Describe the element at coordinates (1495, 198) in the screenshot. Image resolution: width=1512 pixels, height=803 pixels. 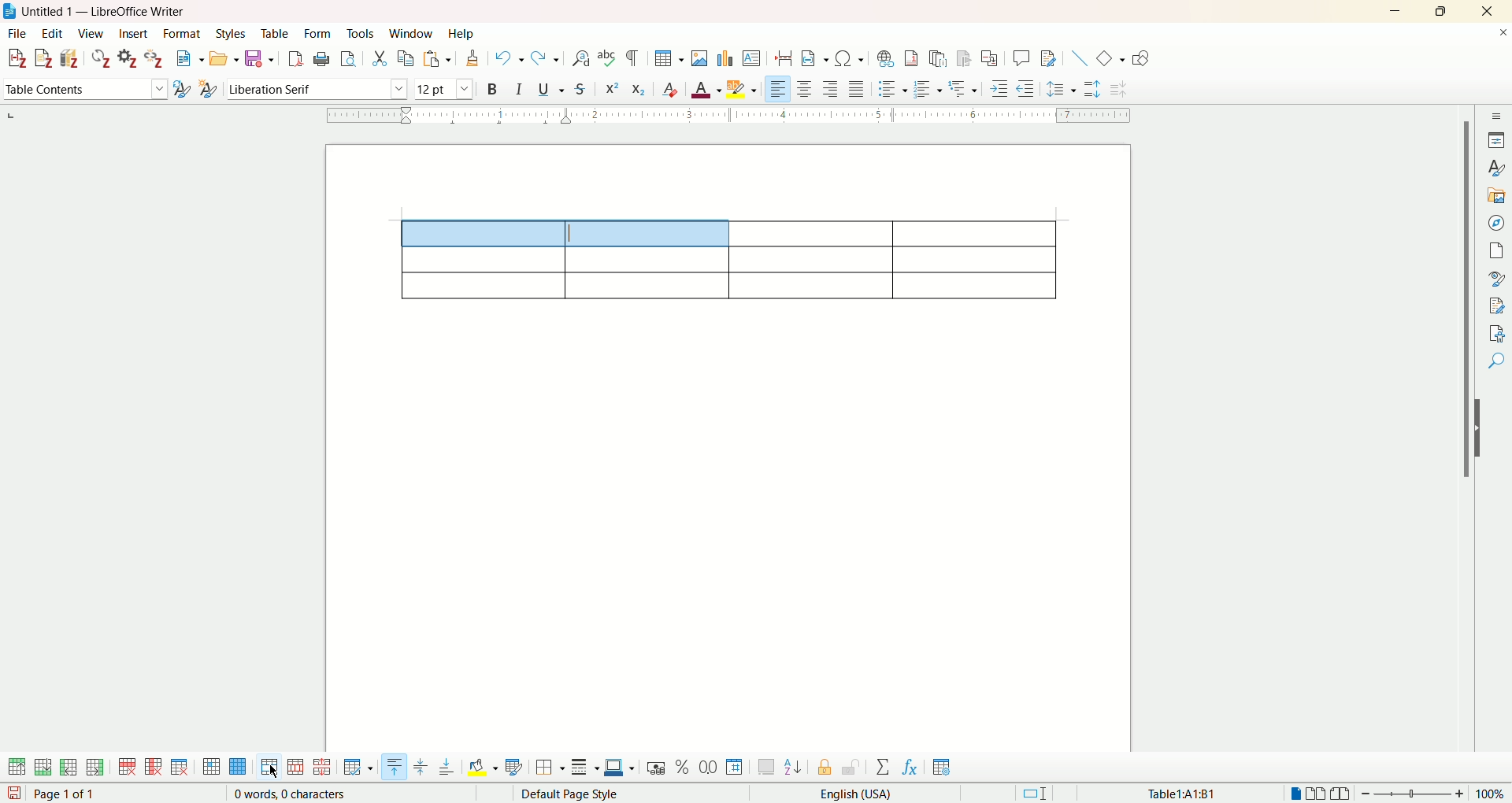
I see `gallery` at that location.